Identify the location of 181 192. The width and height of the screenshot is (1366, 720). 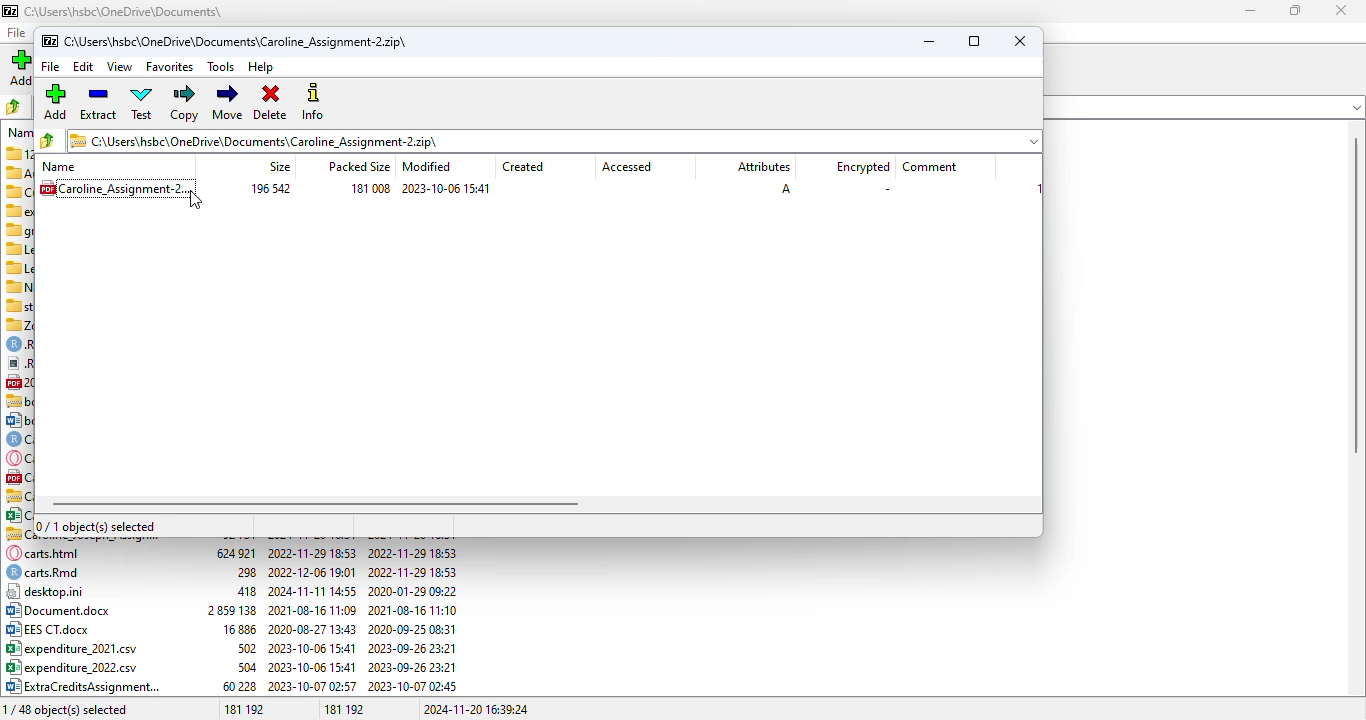
(244, 709).